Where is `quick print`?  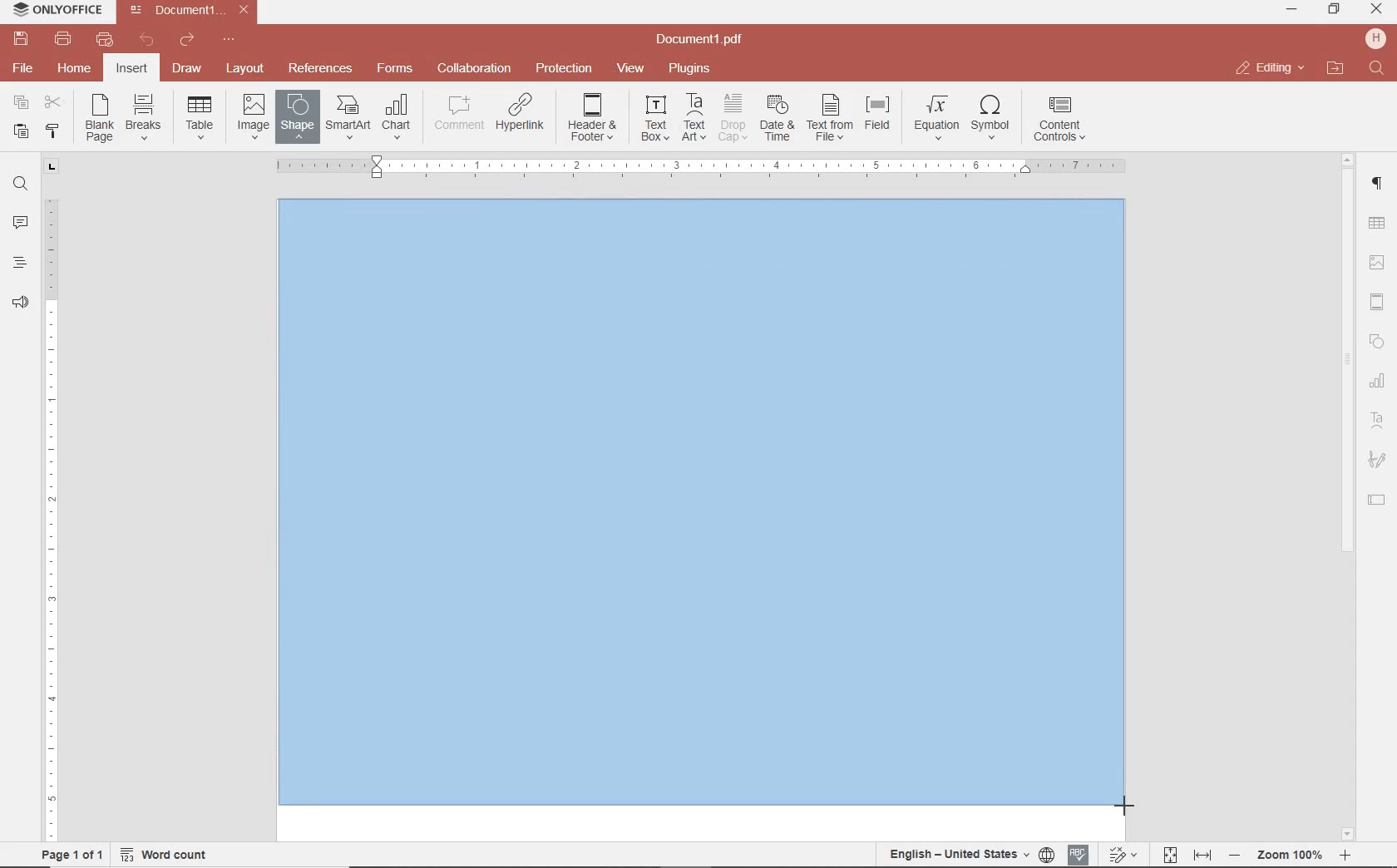 quick print is located at coordinates (103, 39).